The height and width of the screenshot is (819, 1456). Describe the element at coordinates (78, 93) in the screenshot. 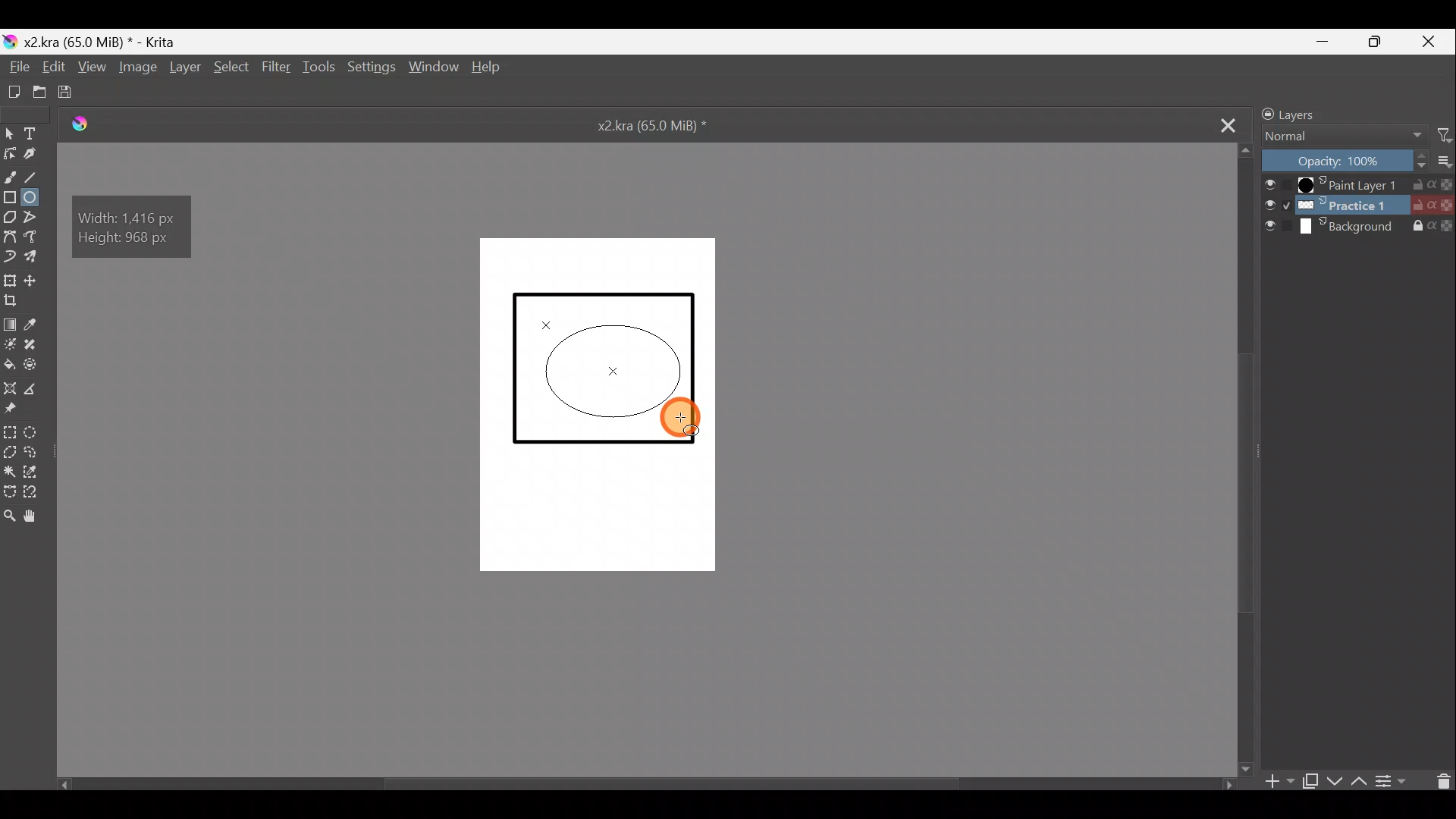

I see `Save` at that location.